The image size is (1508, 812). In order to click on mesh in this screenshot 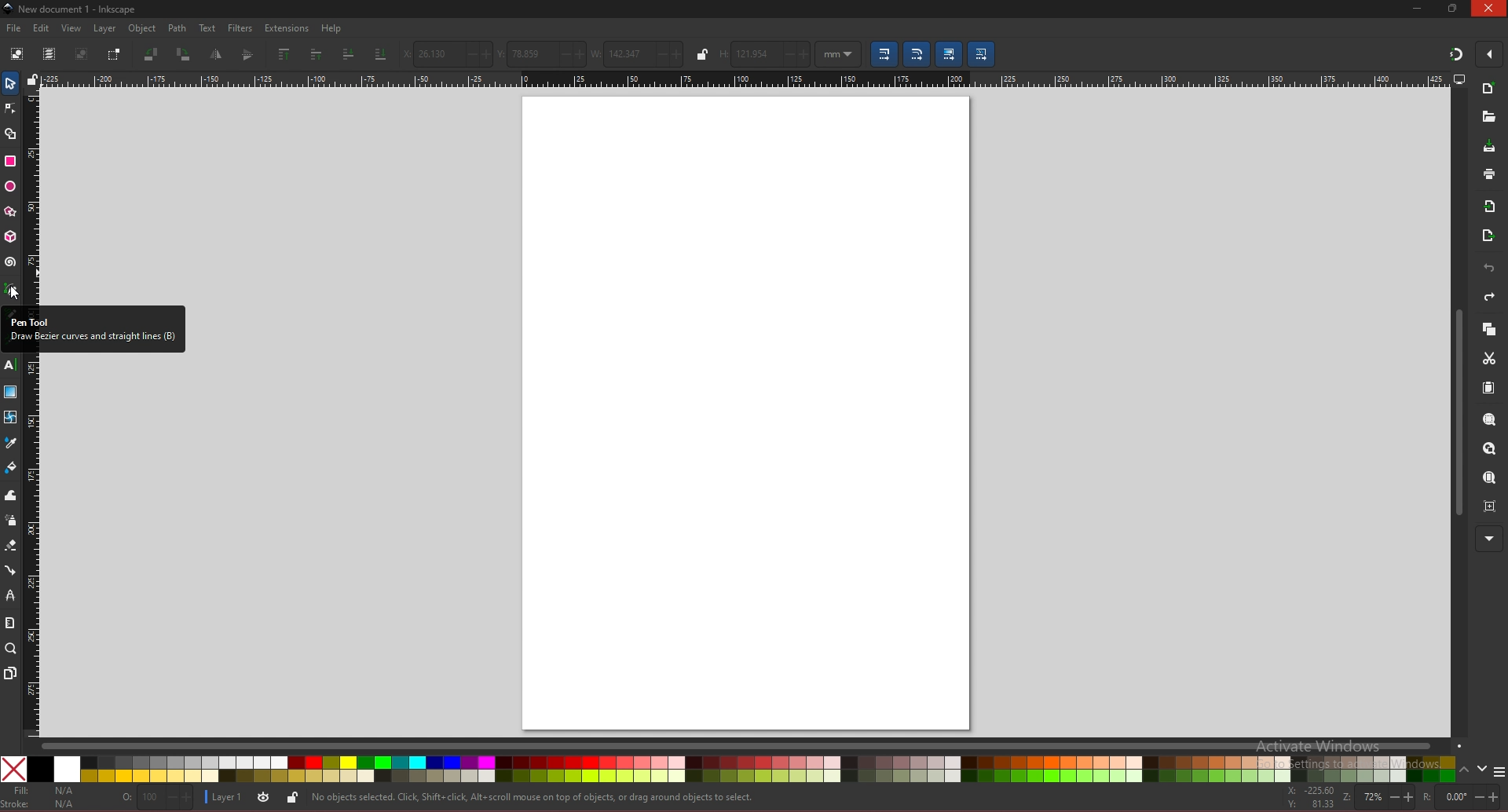, I will do `click(9, 417)`.